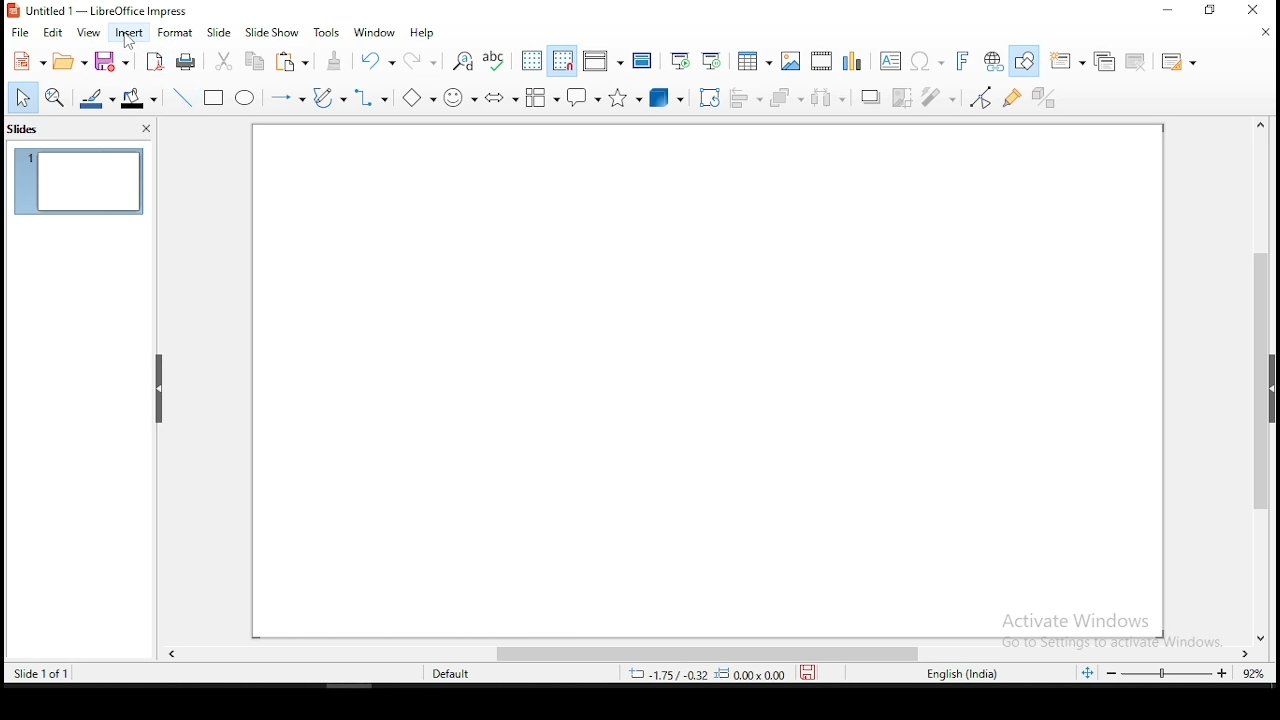 This screenshot has height=720, width=1280. I want to click on image, so click(790, 61).